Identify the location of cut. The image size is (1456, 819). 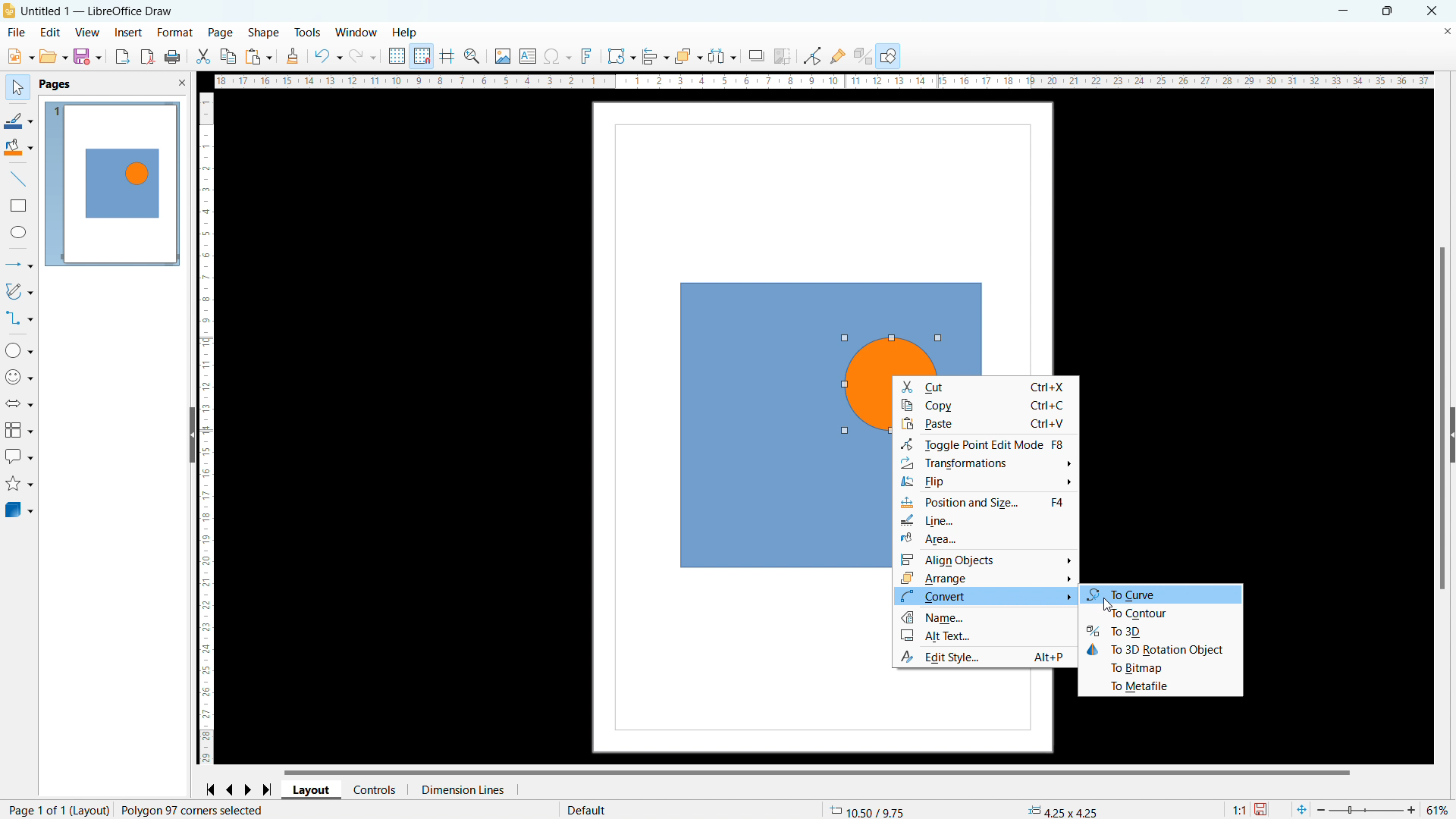
(202, 57).